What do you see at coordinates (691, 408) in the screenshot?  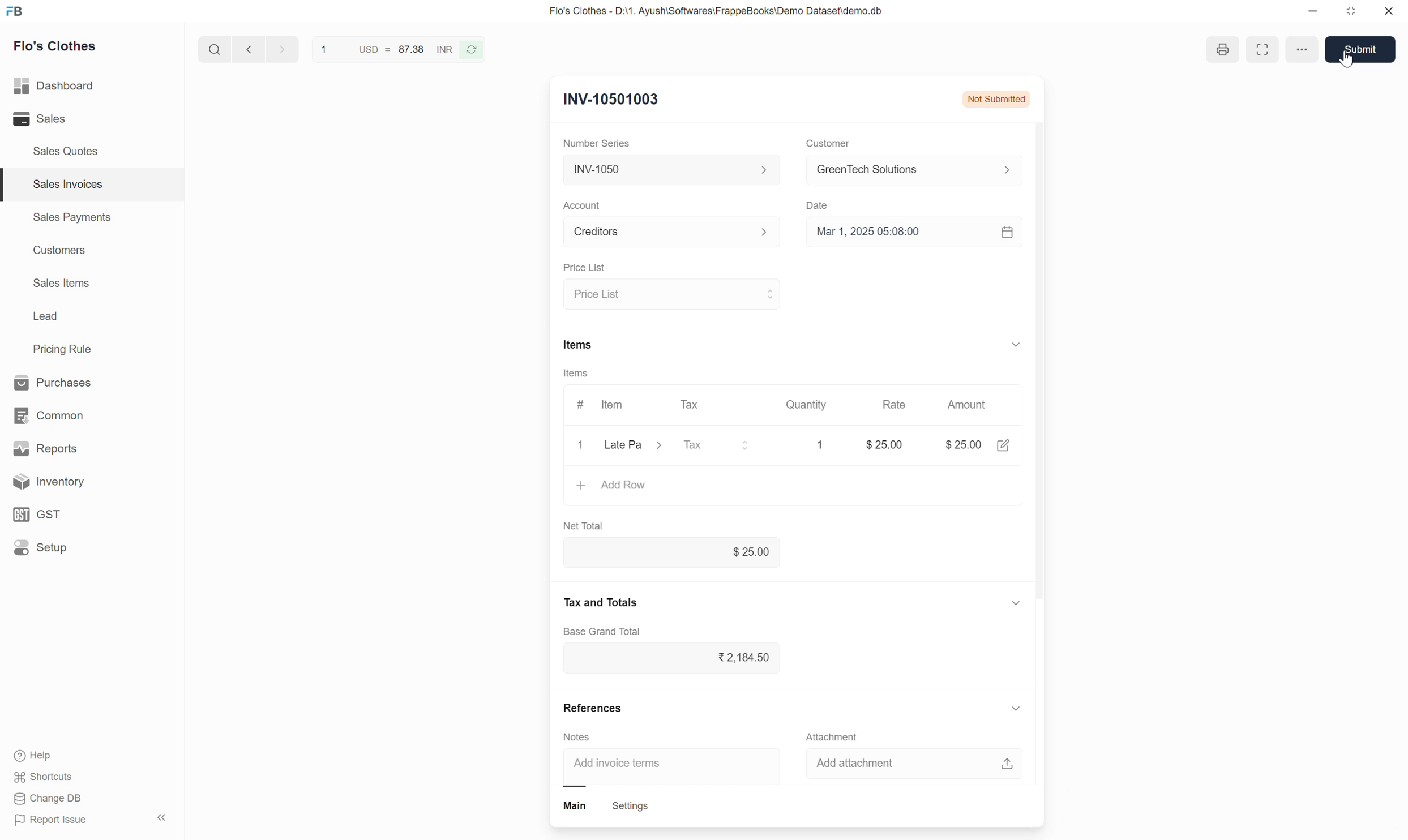 I see `Tax` at bounding box center [691, 408].